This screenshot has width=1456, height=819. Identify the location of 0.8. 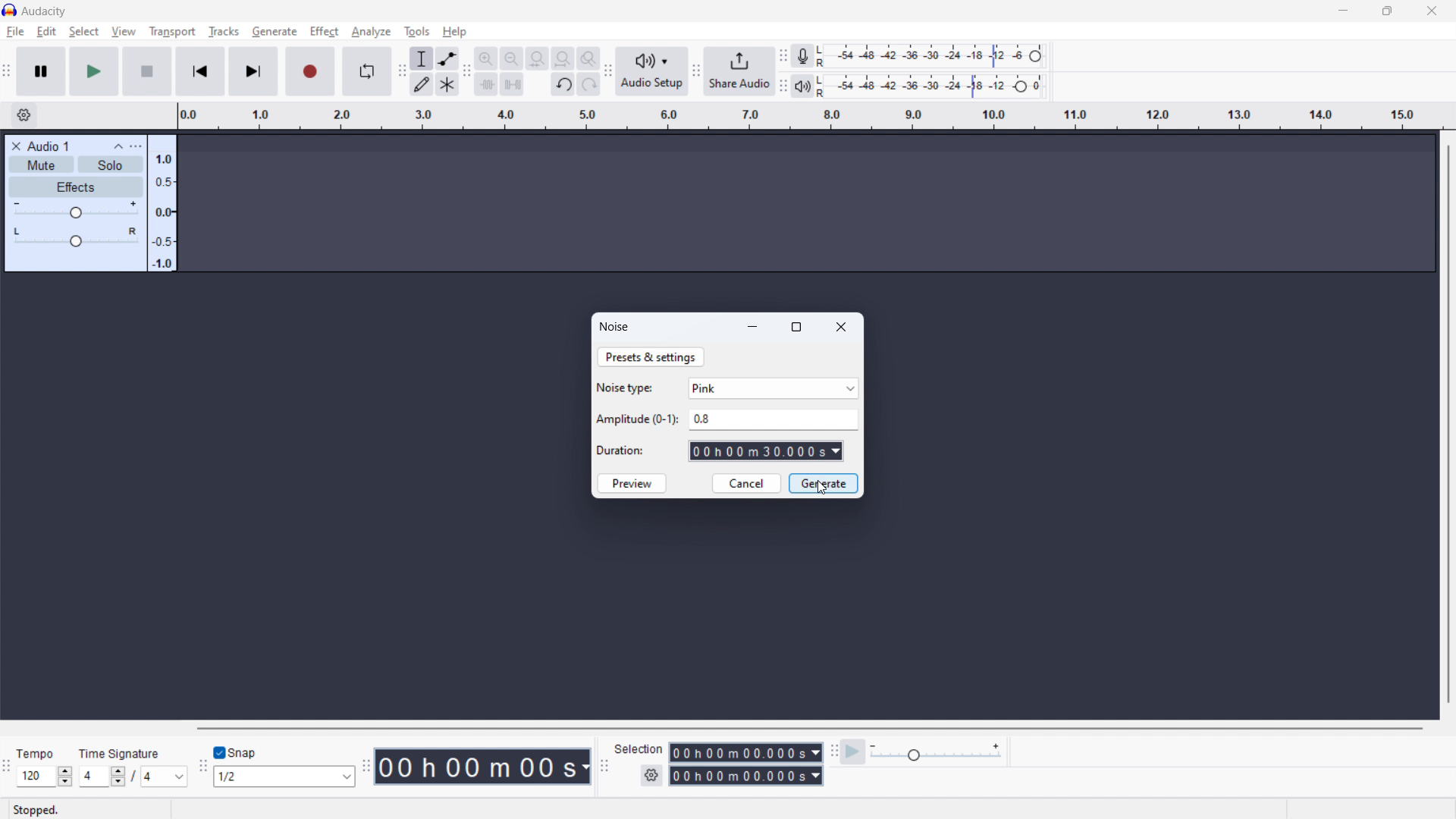
(775, 416).